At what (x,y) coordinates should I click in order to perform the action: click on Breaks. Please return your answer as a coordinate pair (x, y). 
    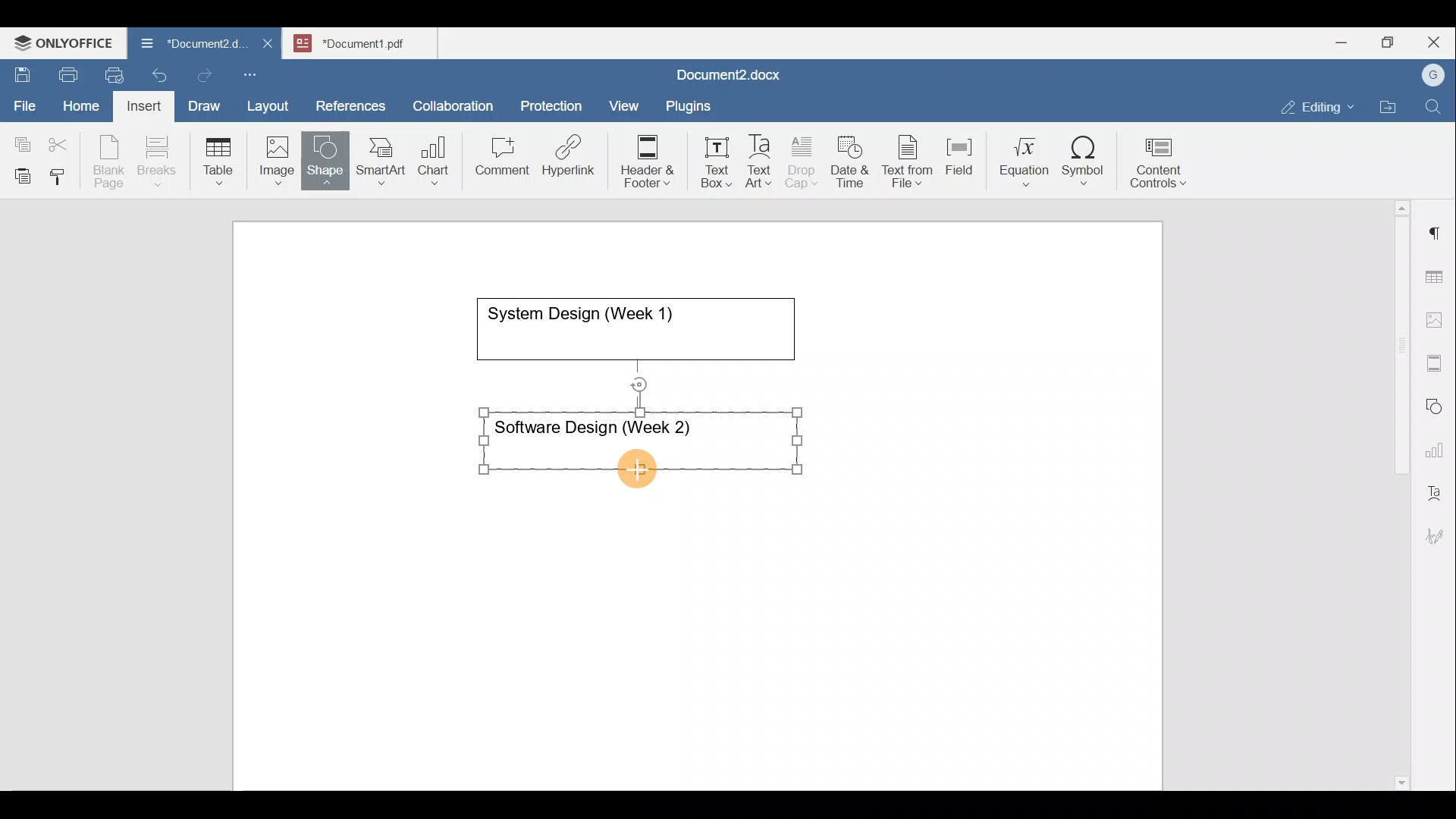
    Looking at the image, I should click on (156, 162).